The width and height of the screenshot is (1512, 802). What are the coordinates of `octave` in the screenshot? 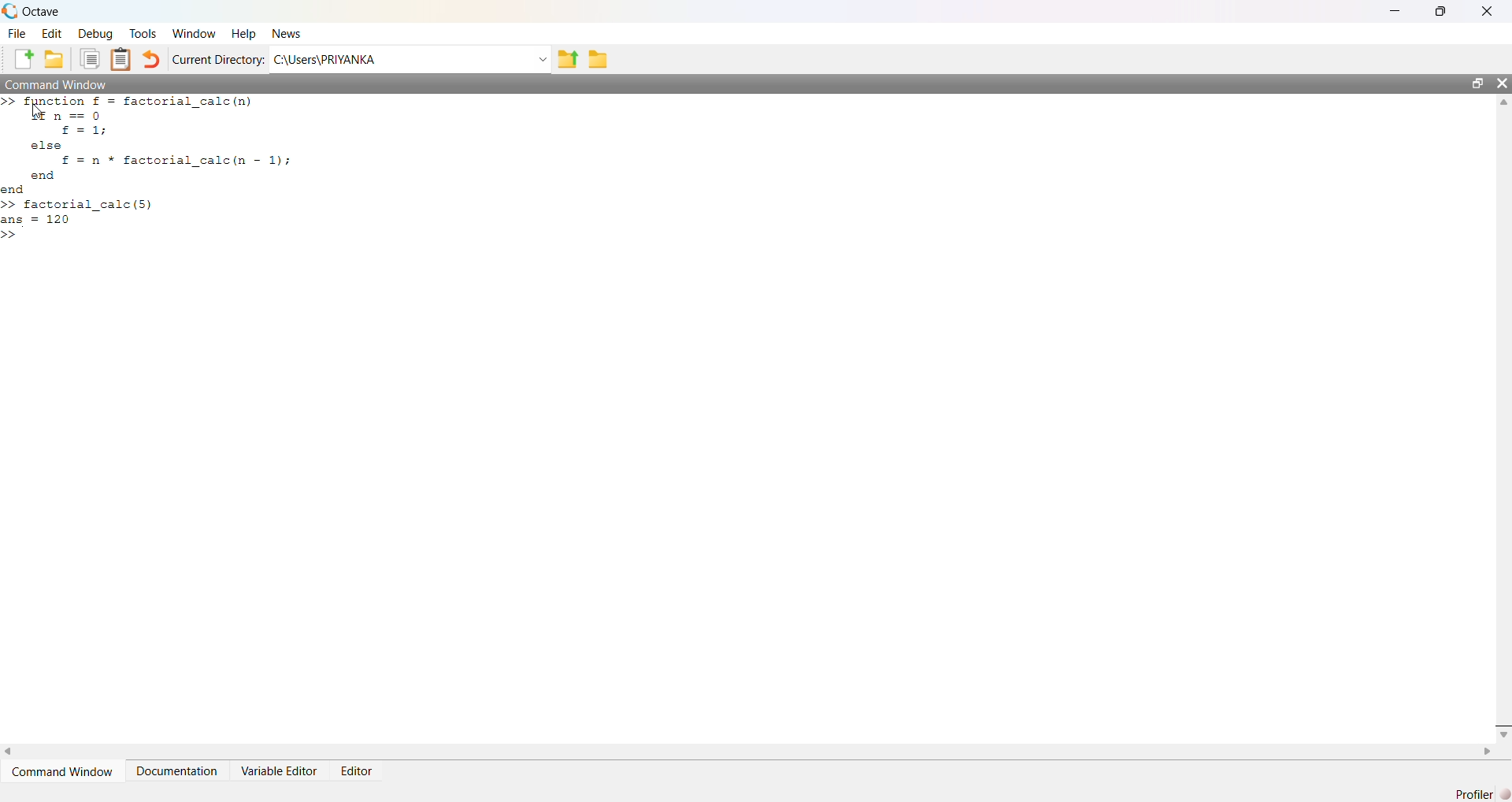 It's located at (44, 12).